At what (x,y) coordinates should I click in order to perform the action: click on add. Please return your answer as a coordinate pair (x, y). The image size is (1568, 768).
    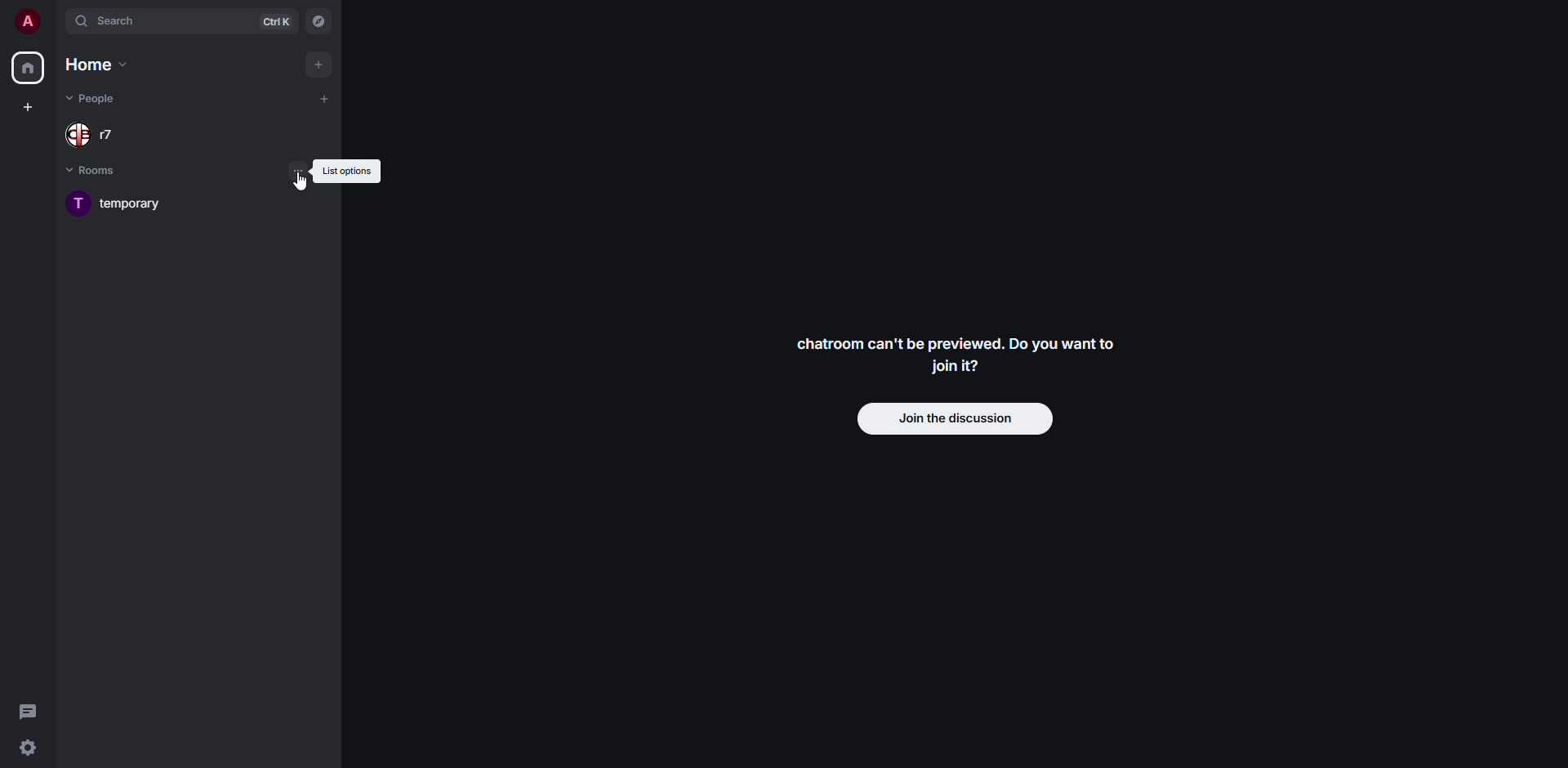
    Looking at the image, I should click on (323, 100).